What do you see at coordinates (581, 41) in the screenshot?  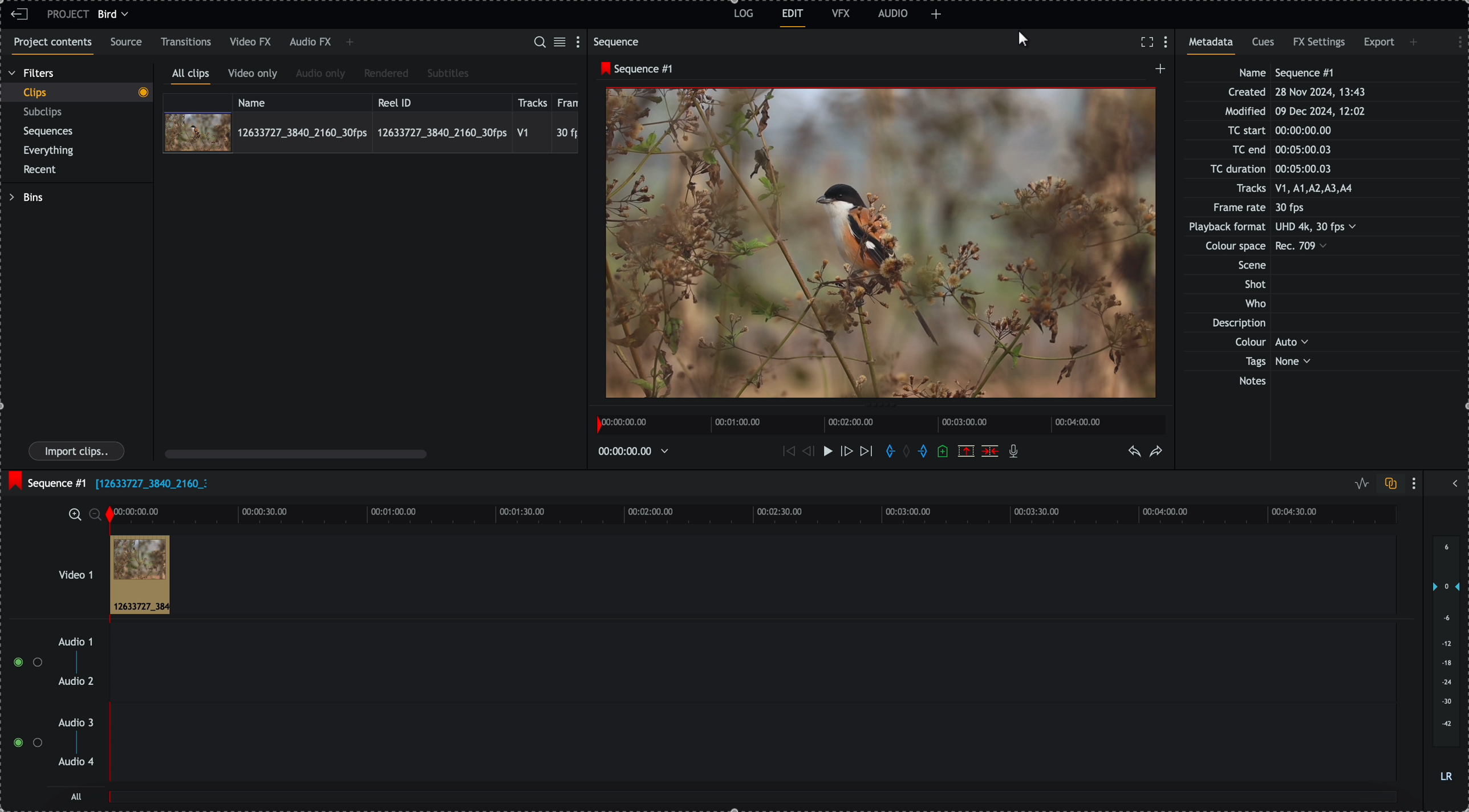 I see `show settings menu` at bounding box center [581, 41].